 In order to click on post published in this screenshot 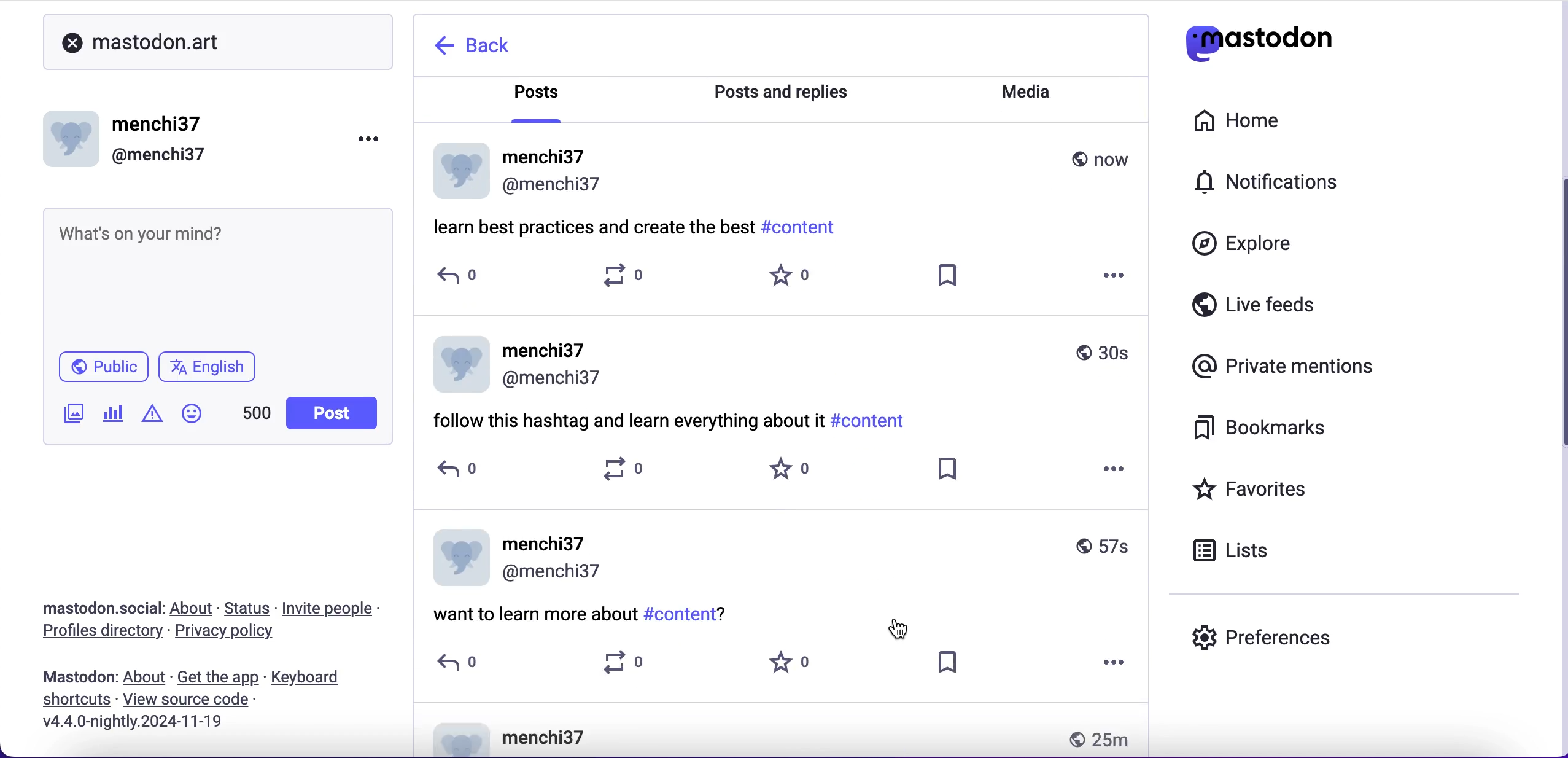, I will do `click(76, 674)`.